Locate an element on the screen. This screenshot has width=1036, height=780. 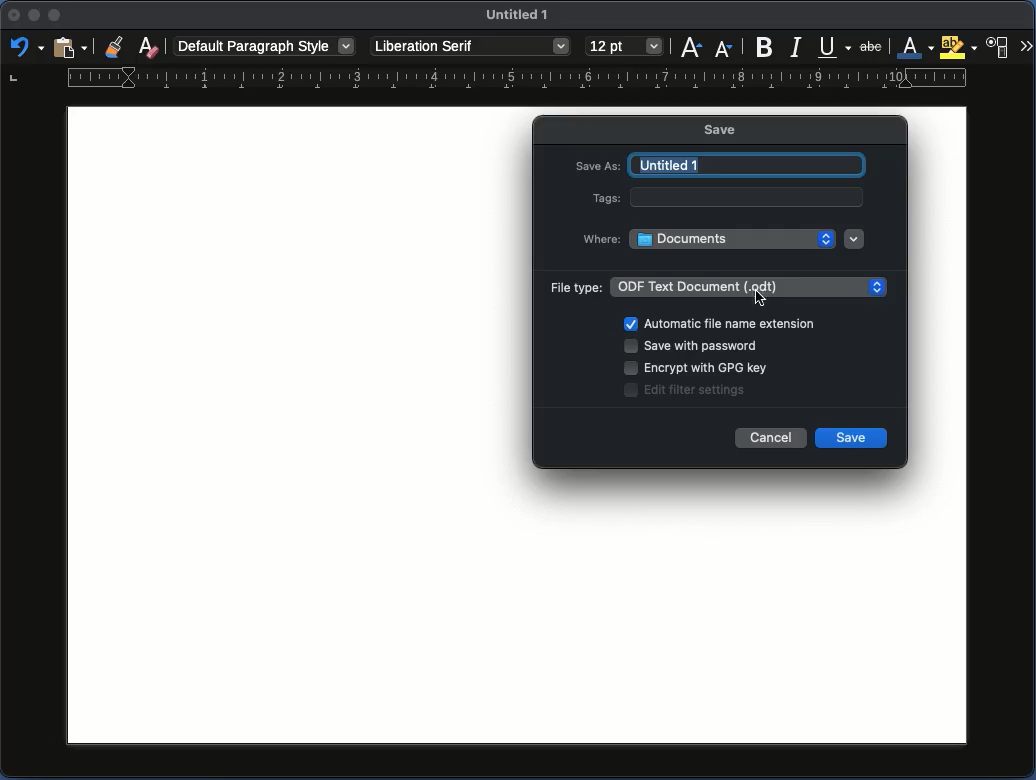
Close is located at coordinates (12, 19).